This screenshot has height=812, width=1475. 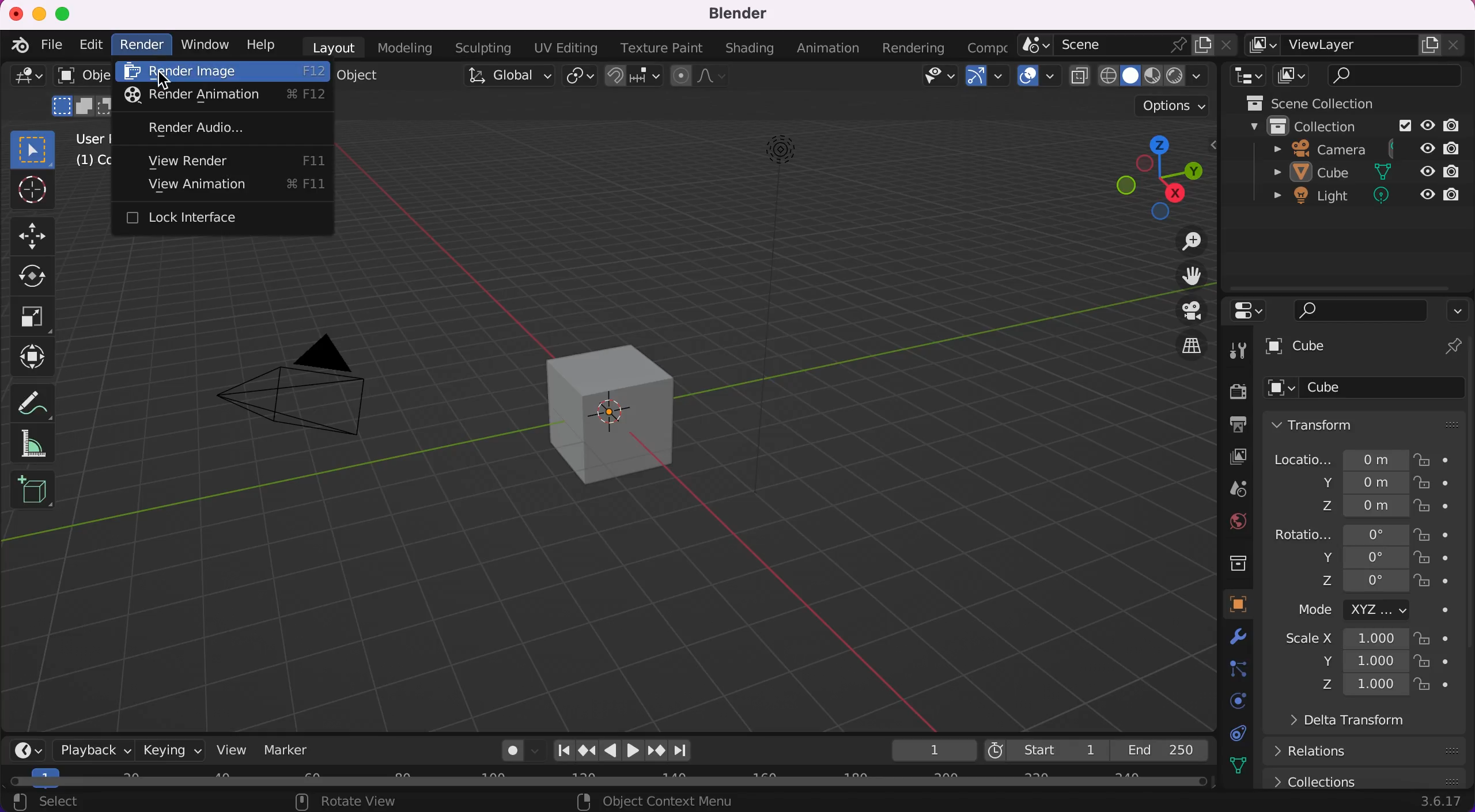 I want to click on Join to endpoint, so click(x=682, y=751).